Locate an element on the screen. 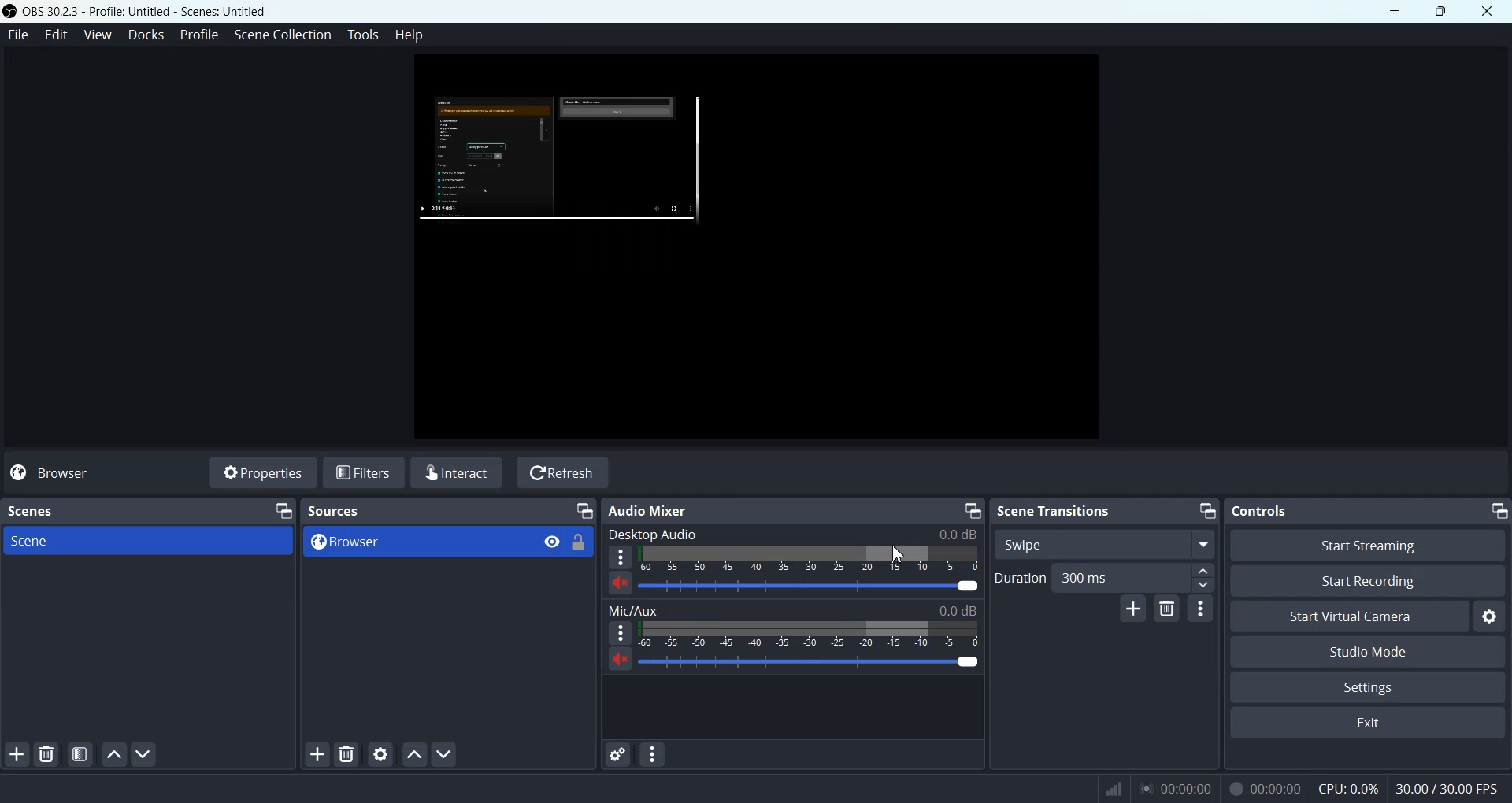 This screenshot has height=803, width=1512. Controls is located at coordinates (1258, 510).